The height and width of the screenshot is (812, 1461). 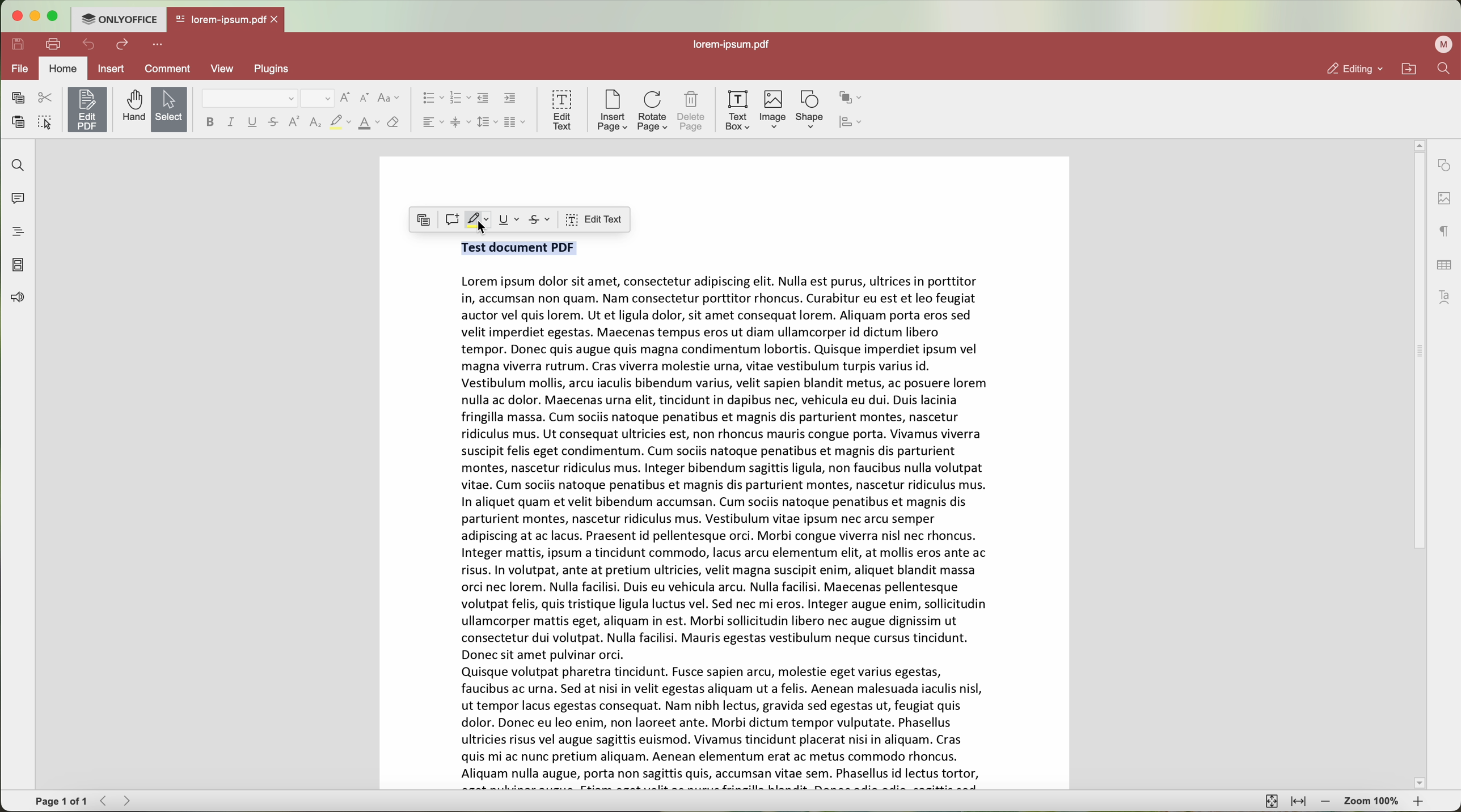 I want to click on bold, so click(x=210, y=122).